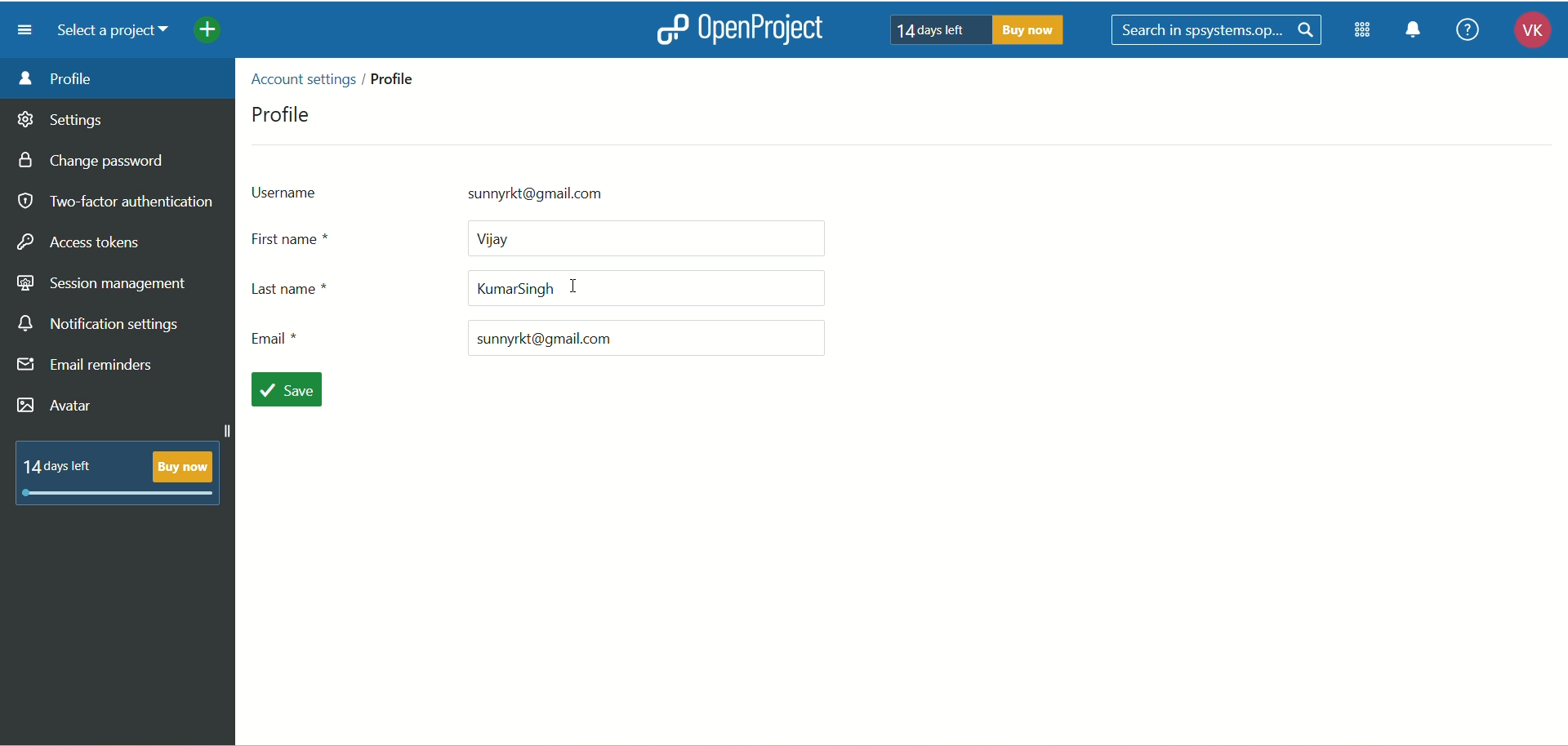  What do you see at coordinates (118, 472) in the screenshot?
I see `text` at bounding box center [118, 472].